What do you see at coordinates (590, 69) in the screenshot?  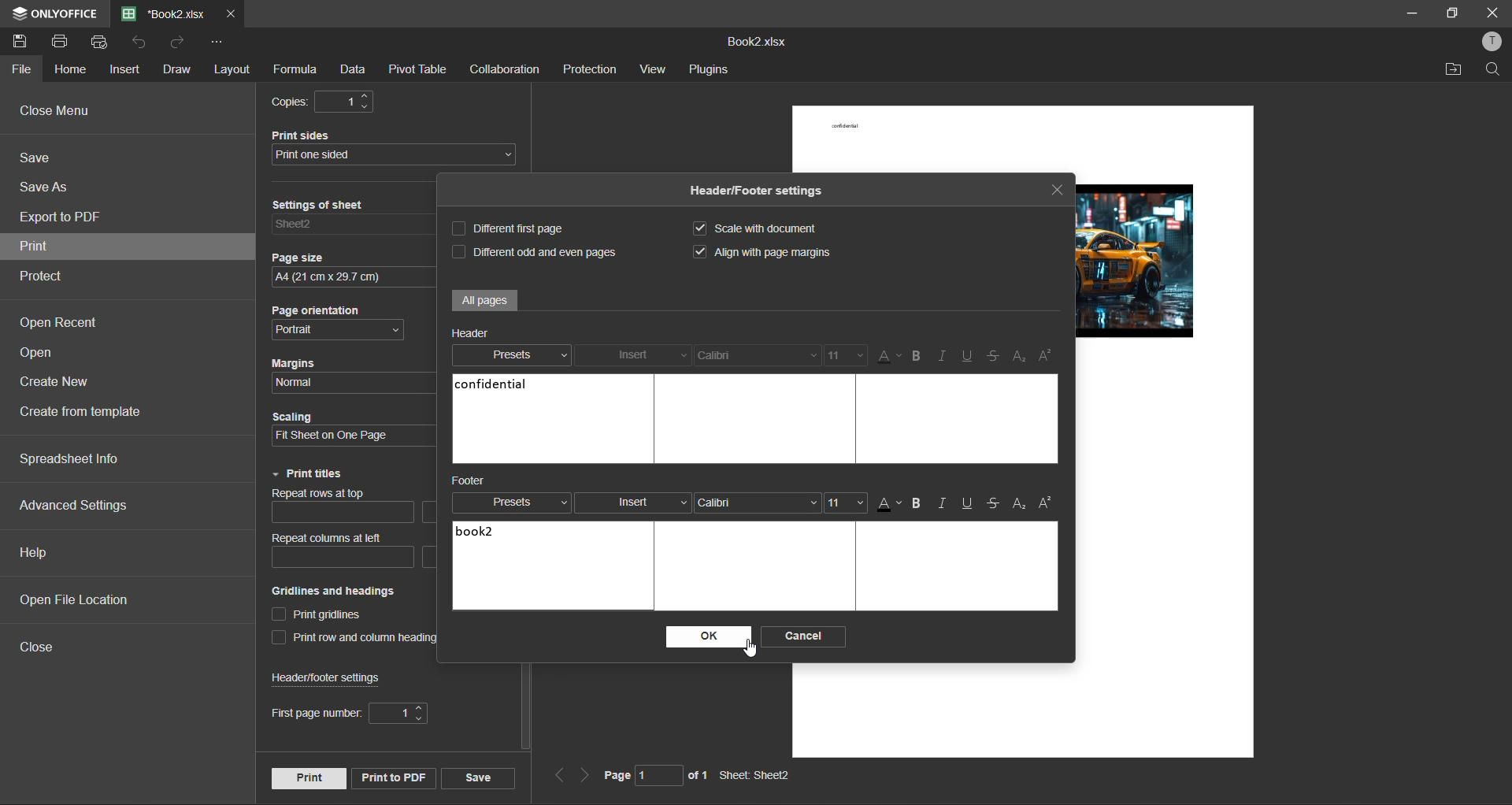 I see `protection` at bounding box center [590, 69].